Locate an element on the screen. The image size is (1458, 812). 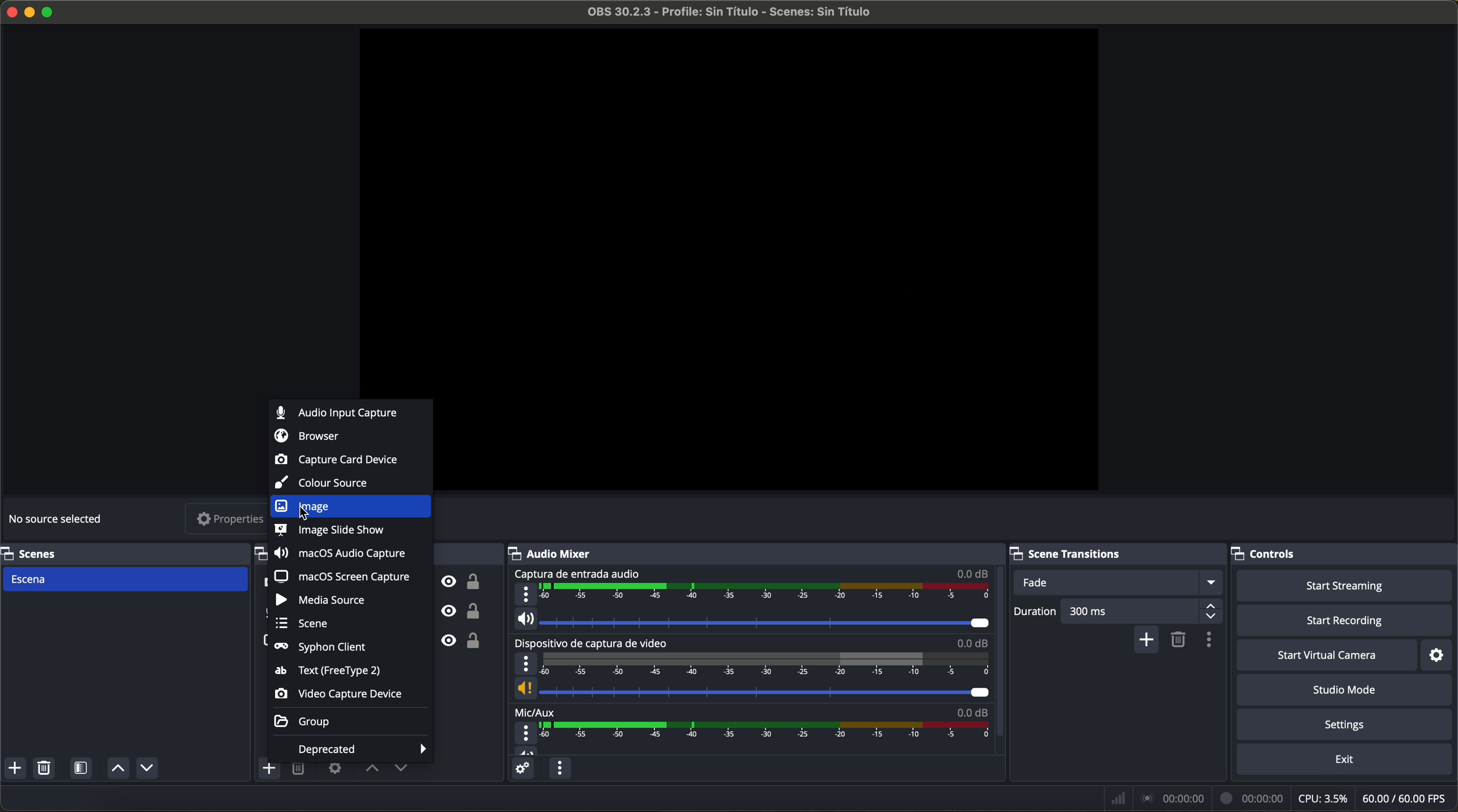
remove selected scene is located at coordinates (44, 768).